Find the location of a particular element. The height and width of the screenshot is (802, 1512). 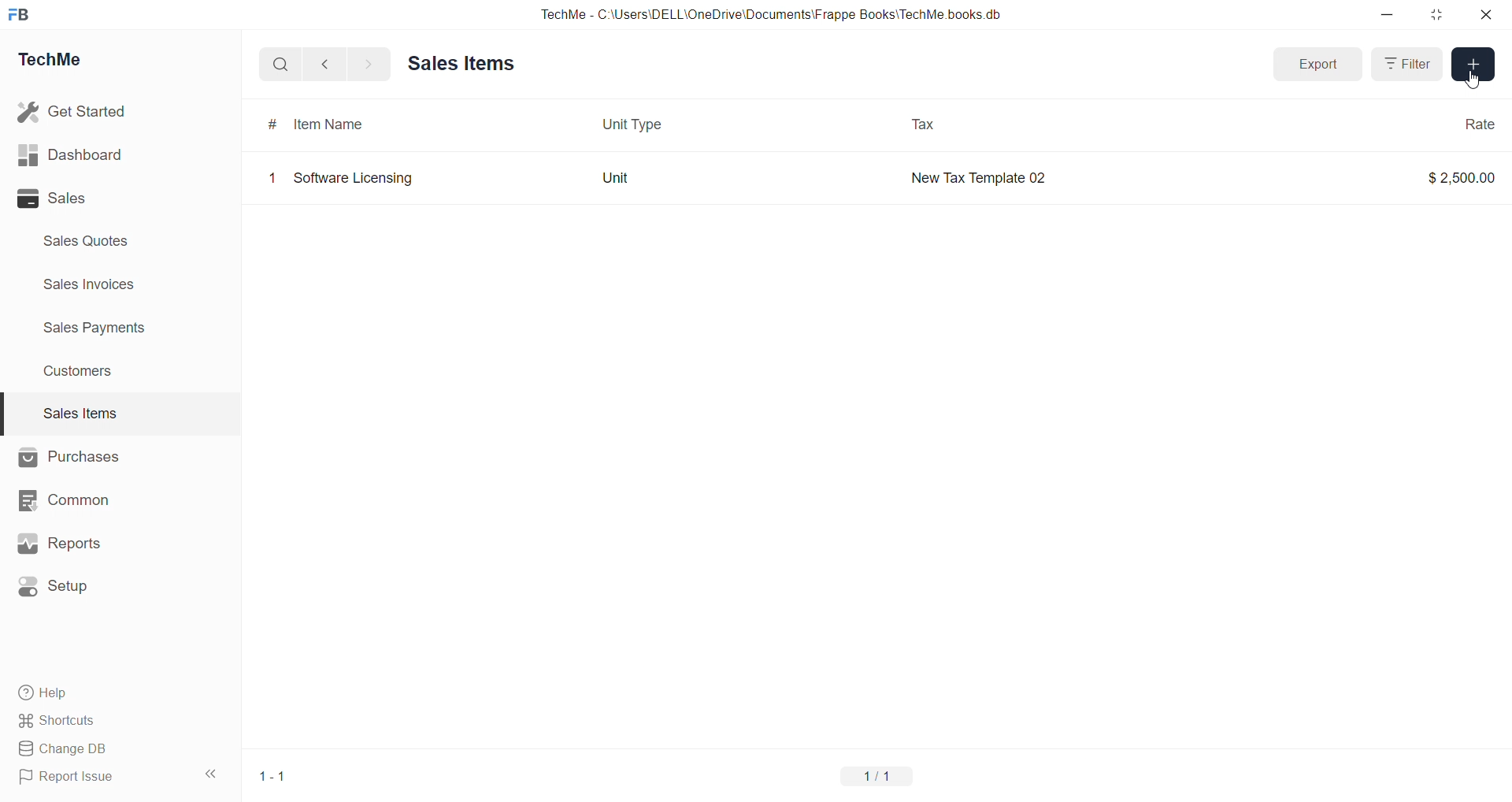

Sales Payments is located at coordinates (96, 328).